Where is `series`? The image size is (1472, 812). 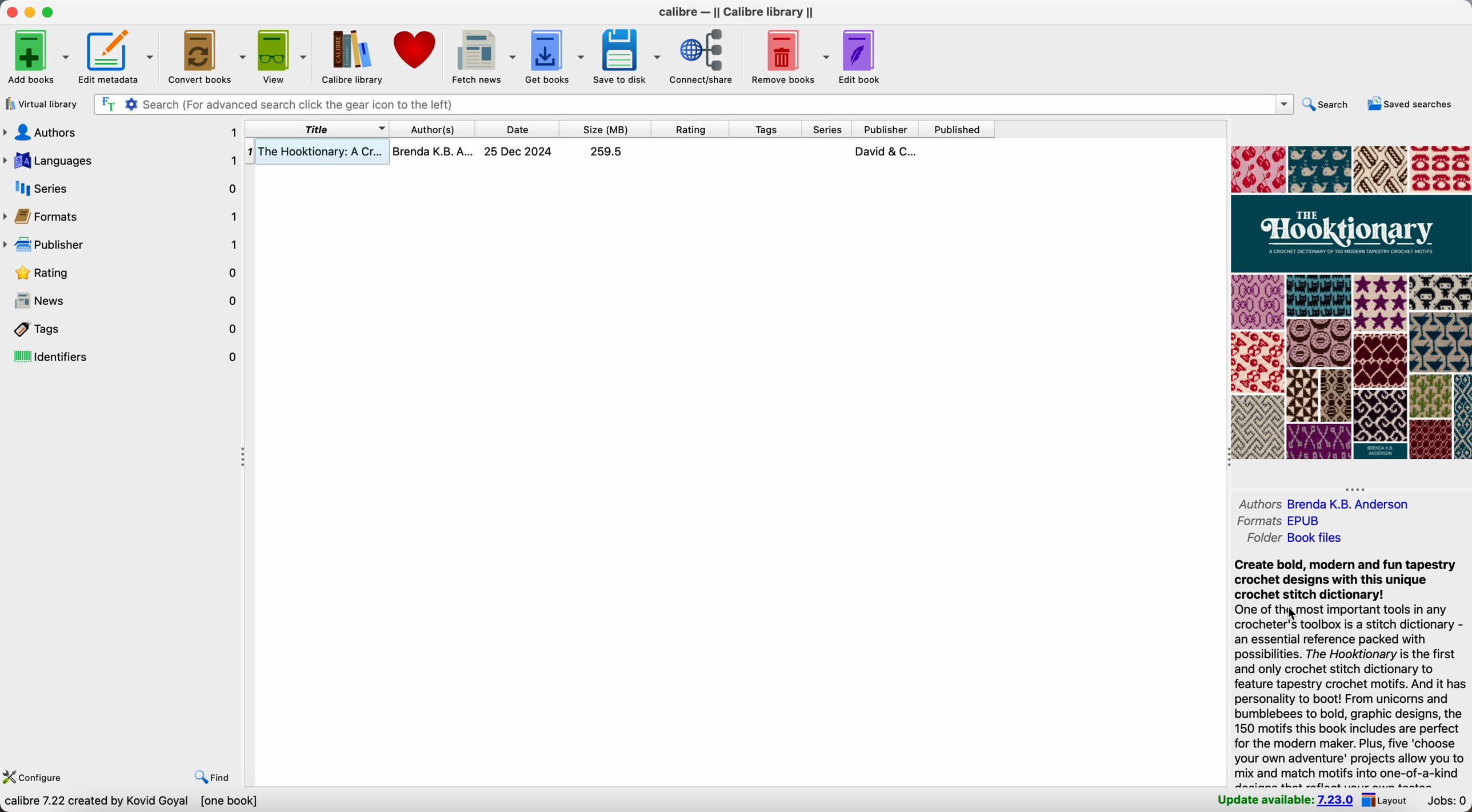 series is located at coordinates (122, 188).